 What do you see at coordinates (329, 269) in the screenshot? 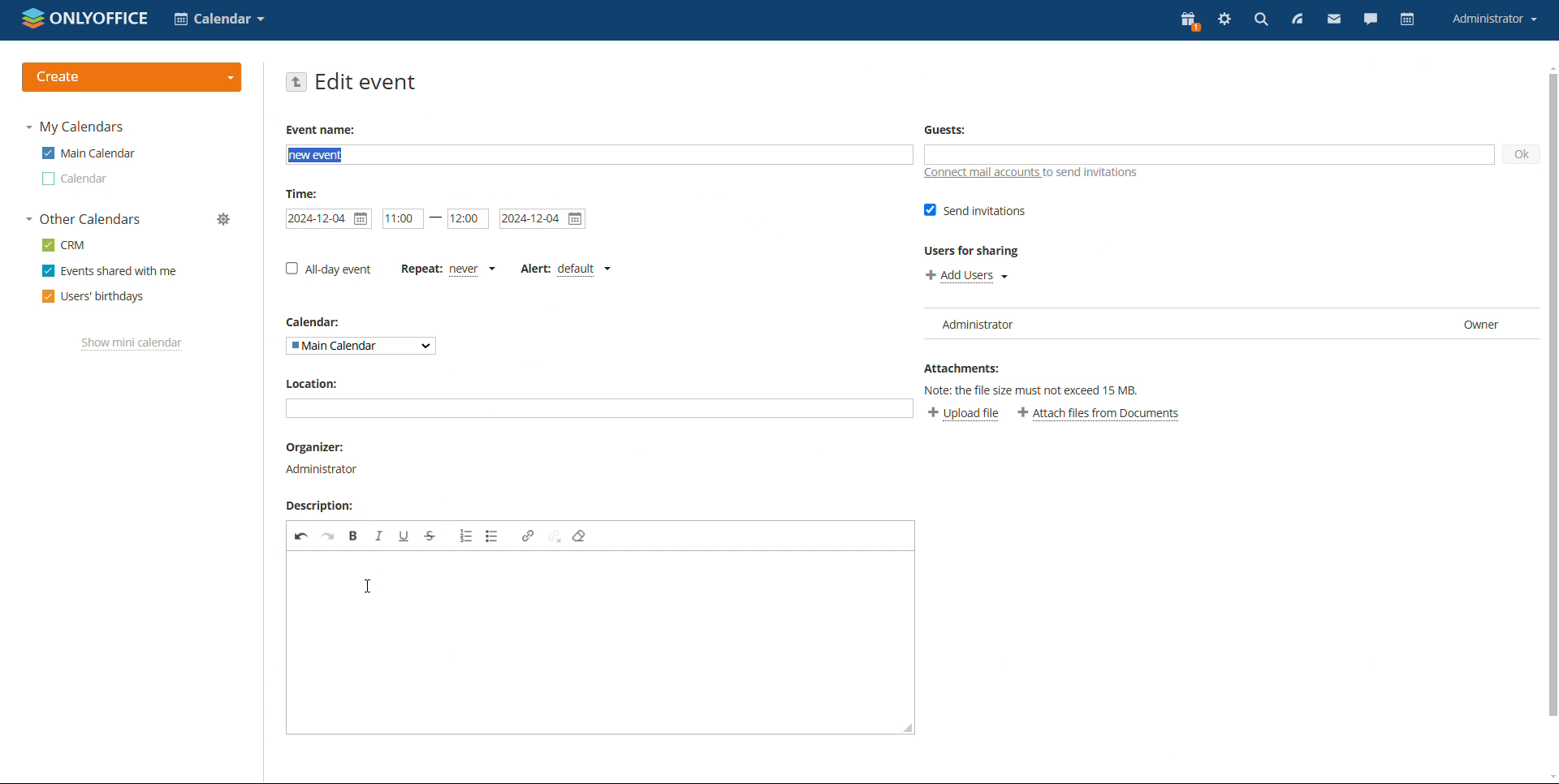
I see `all-day event checkbox` at bounding box center [329, 269].